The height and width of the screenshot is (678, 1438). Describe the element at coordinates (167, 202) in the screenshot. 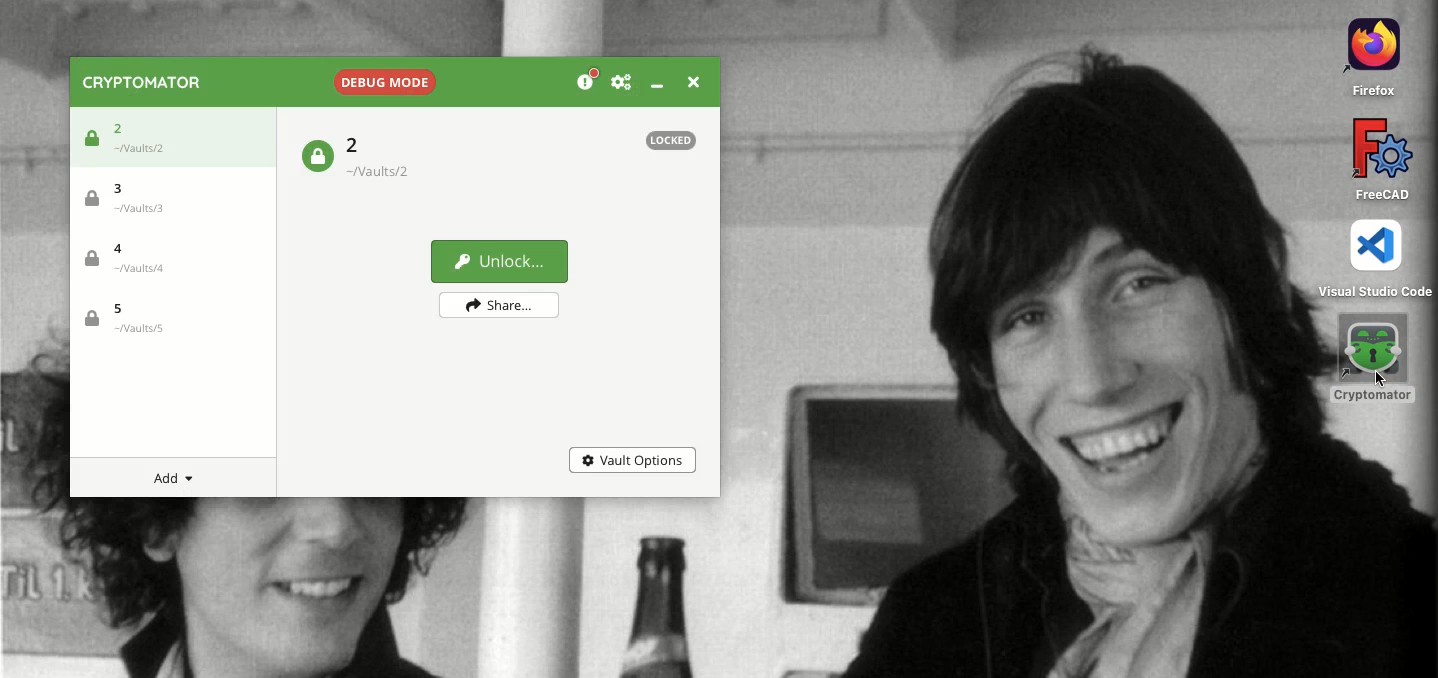

I see `Vault 3` at that location.